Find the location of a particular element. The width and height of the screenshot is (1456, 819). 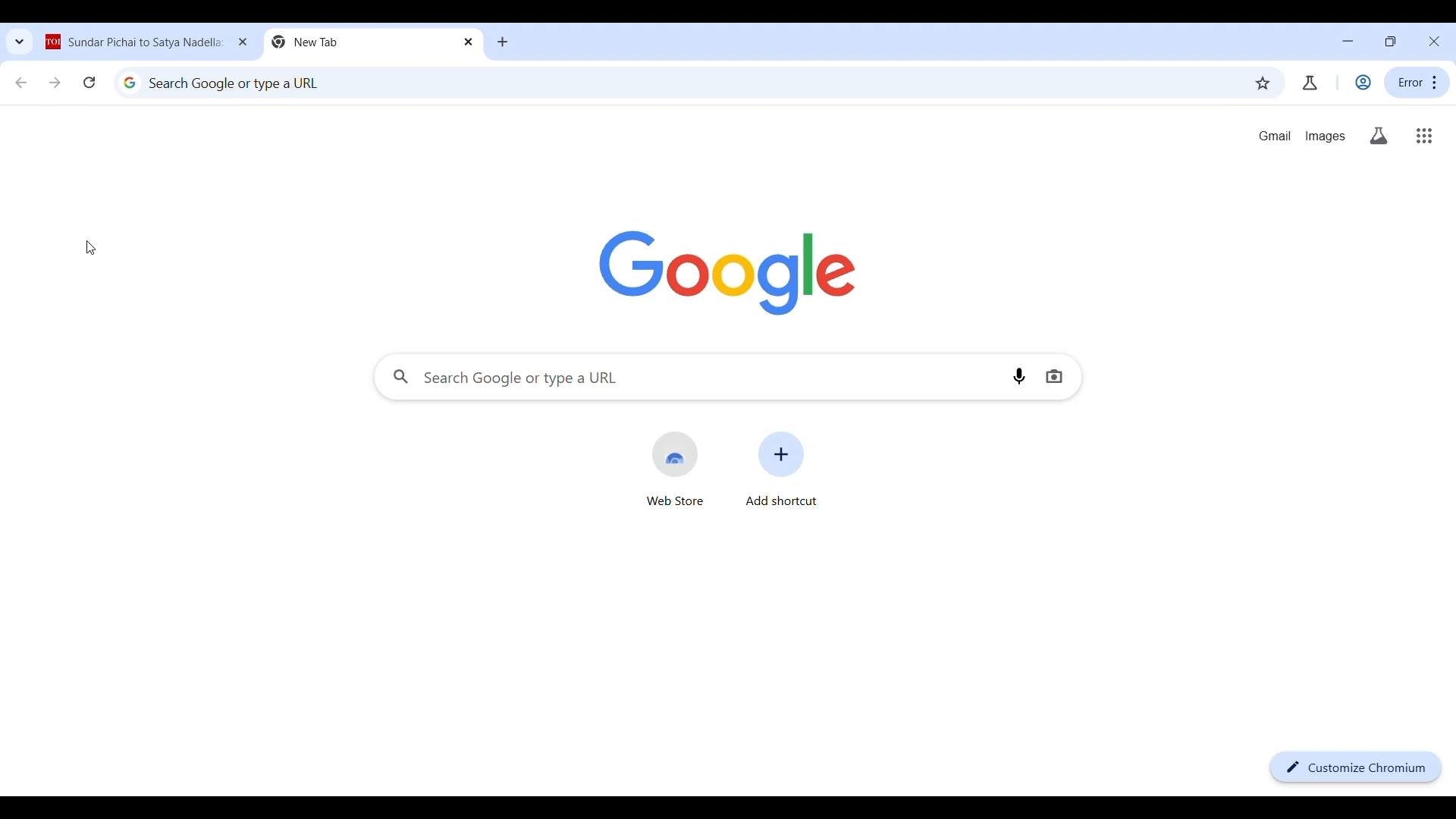

Go back is located at coordinates (20, 83).